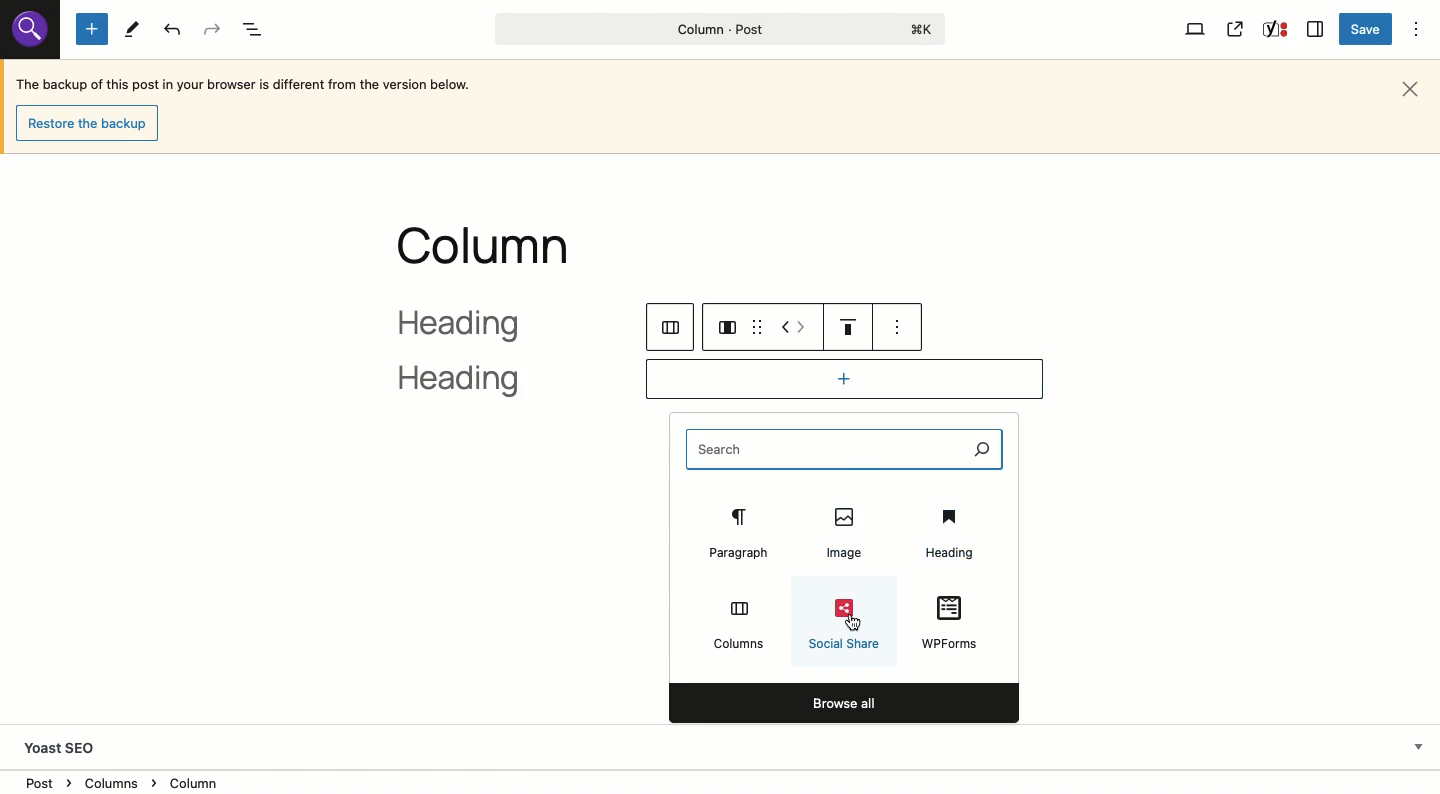 Image resolution: width=1440 pixels, height=794 pixels. What do you see at coordinates (947, 621) in the screenshot?
I see `WPForms` at bounding box center [947, 621].